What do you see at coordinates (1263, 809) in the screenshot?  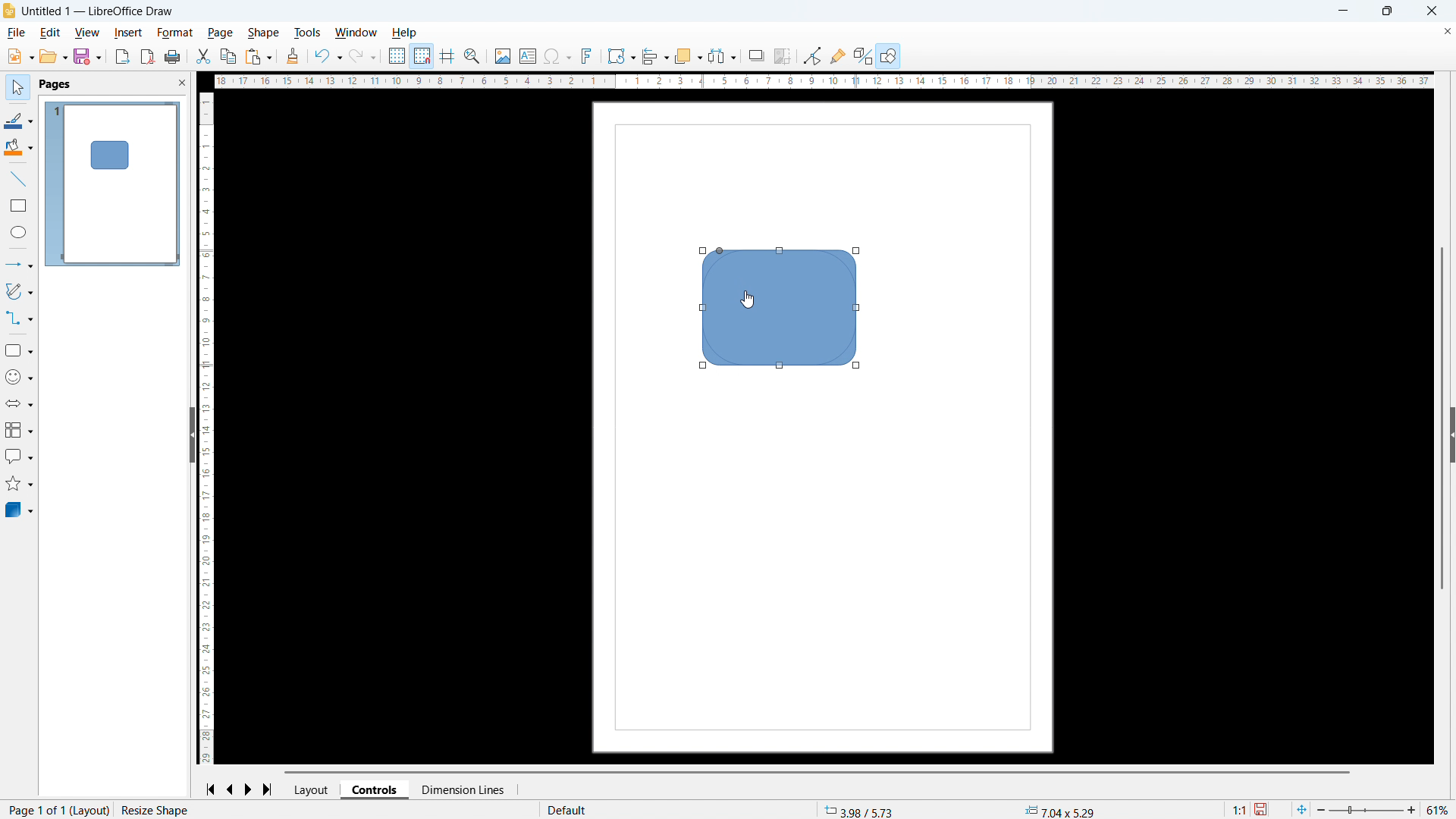 I see `save ` at bounding box center [1263, 809].